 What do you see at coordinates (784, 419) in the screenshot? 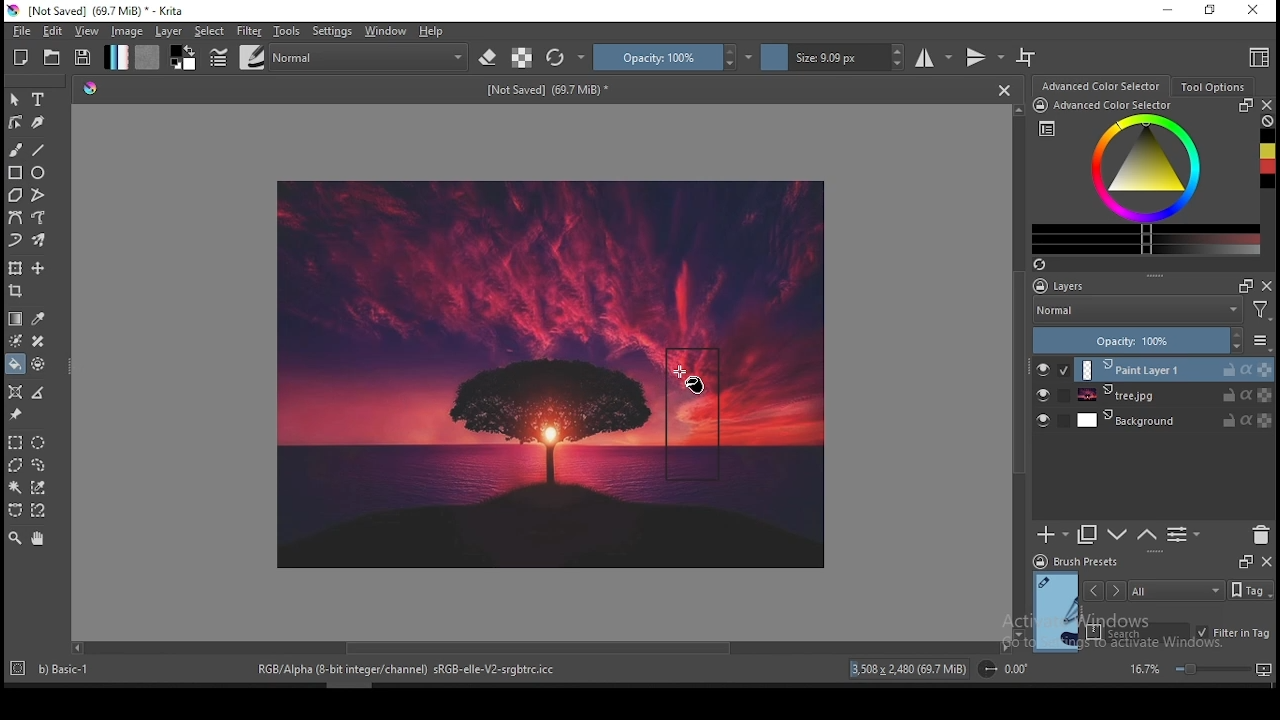
I see `image` at bounding box center [784, 419].